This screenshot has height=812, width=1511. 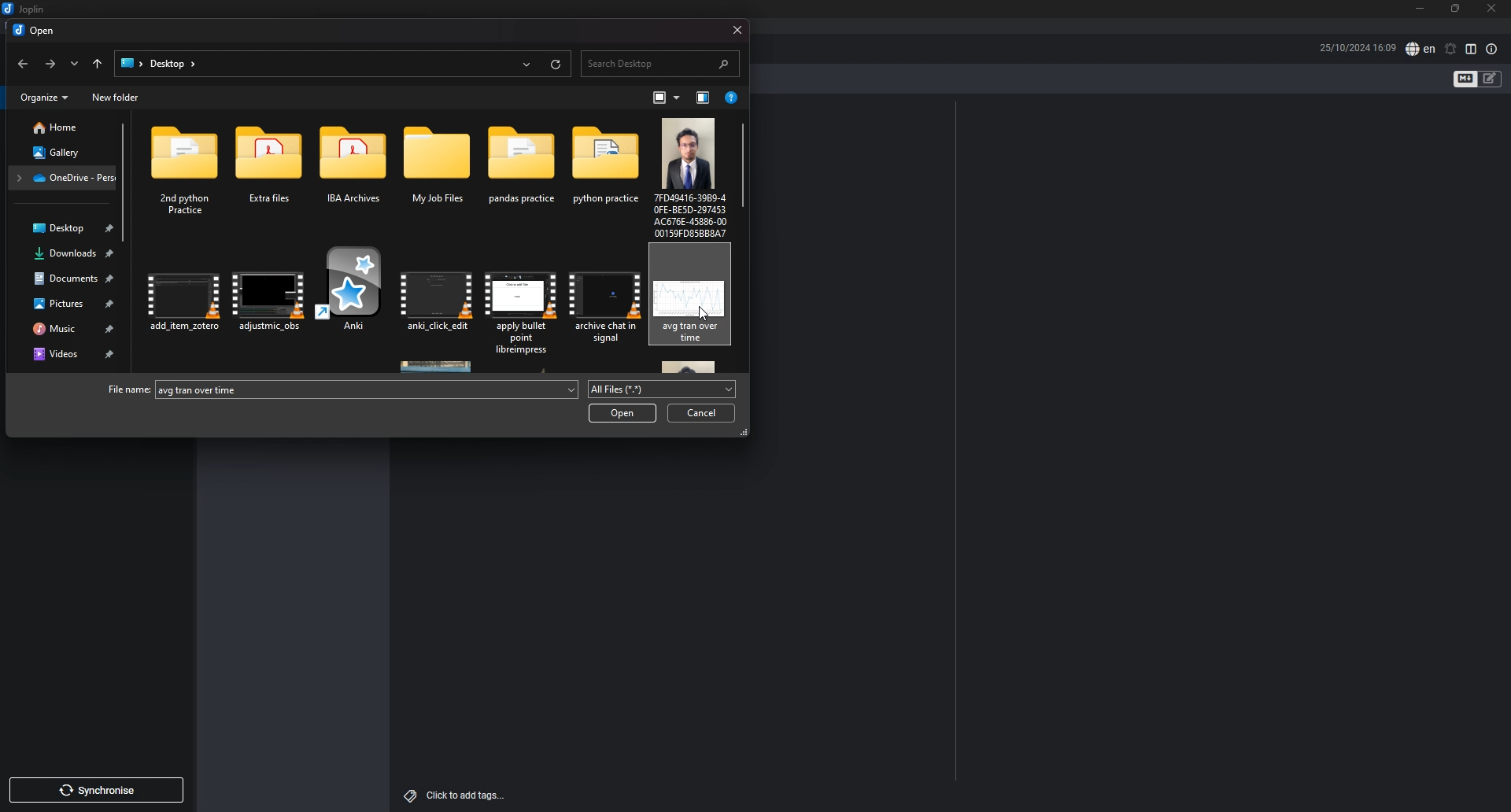 I want to click on reload, so click(x=553, y=65).